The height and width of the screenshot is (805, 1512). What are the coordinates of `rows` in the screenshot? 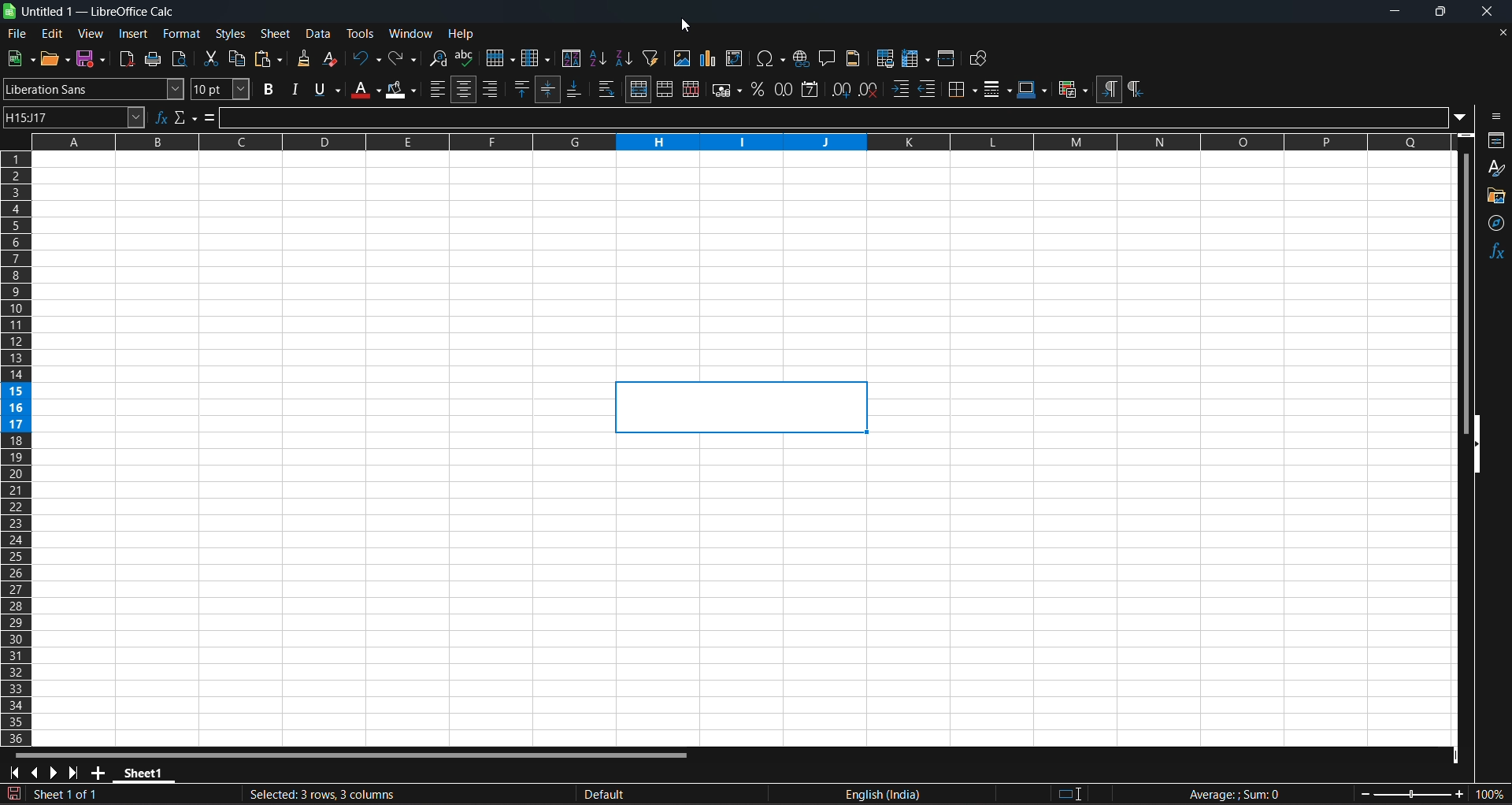 It's located at (726, 143).